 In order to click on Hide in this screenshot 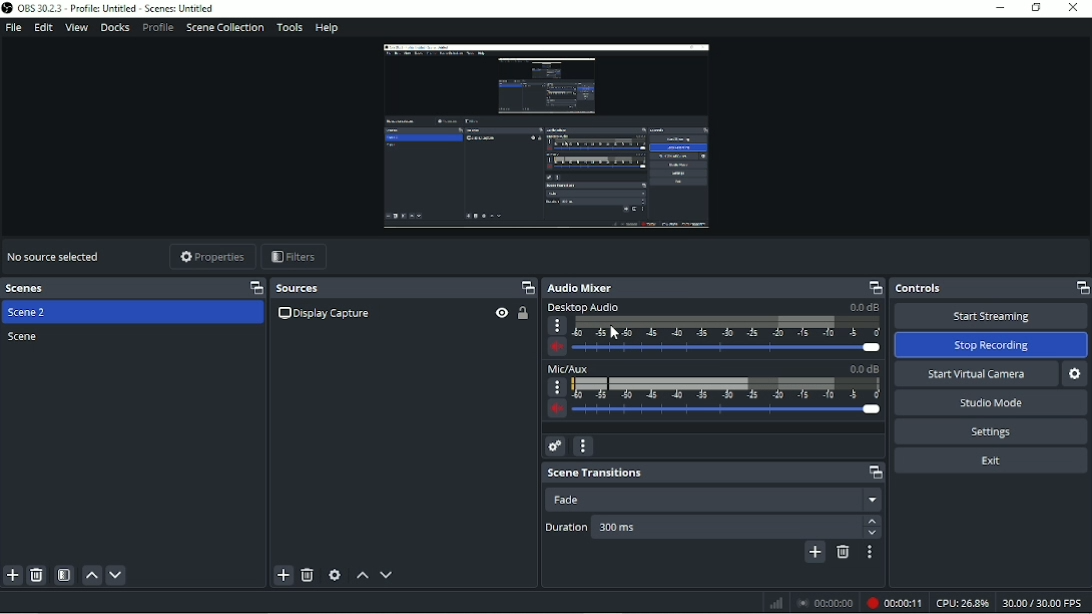, I will do `click(501, 313)`.